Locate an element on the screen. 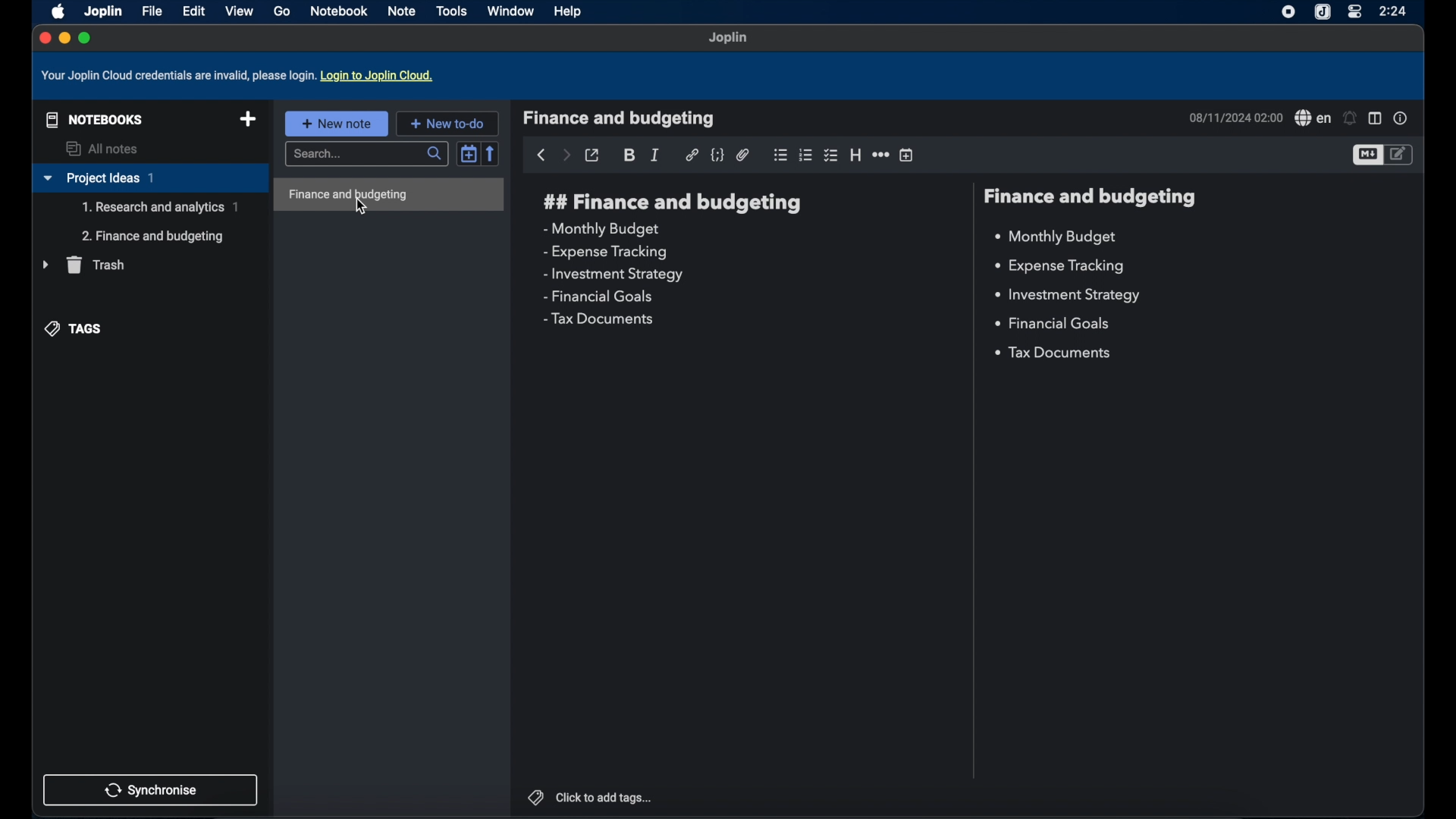 This screenshot has width=1456, height=819. hyperlink is located at coordinates (692, 155).